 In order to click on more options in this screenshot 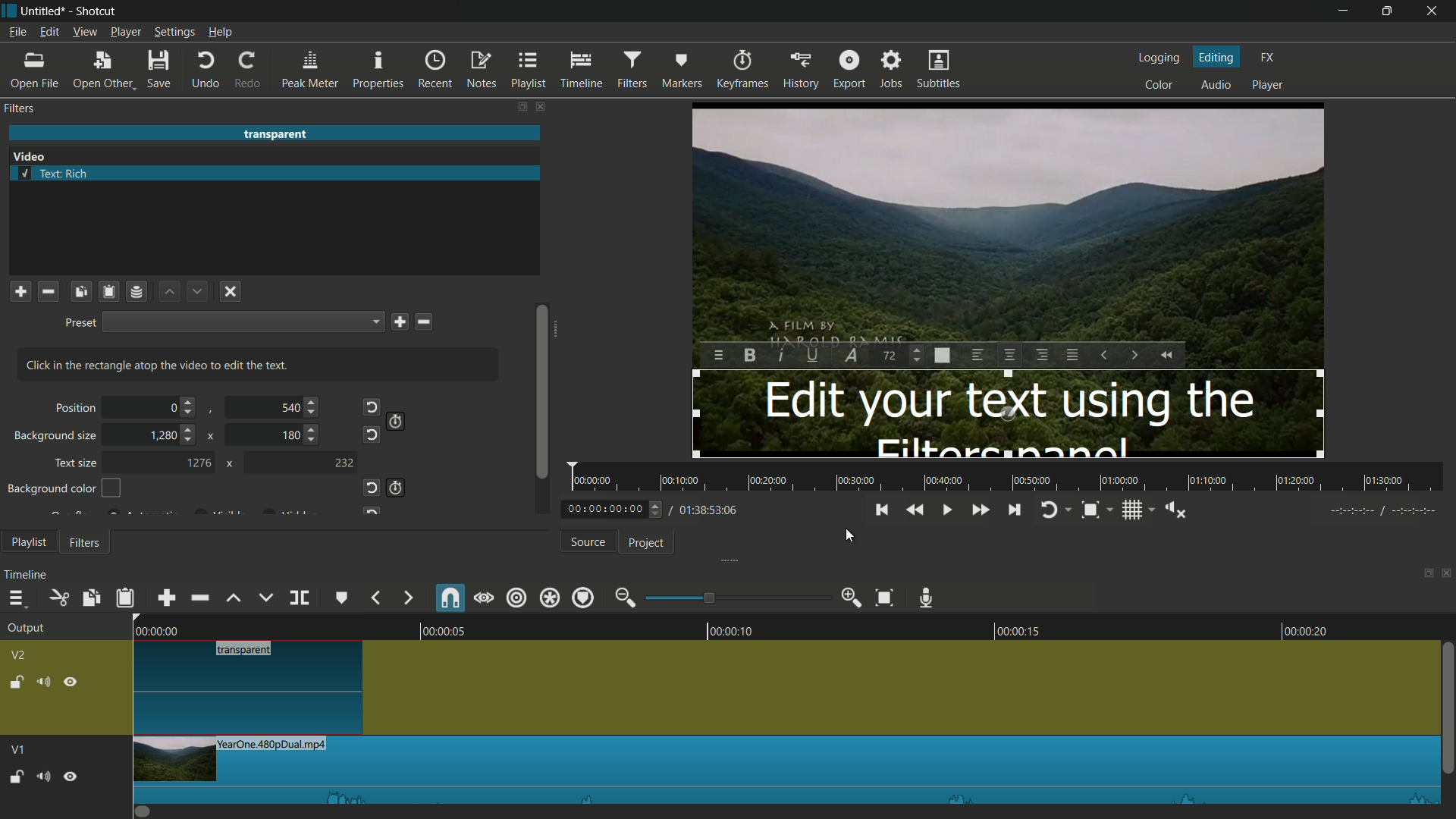, I will do `click(720, 356)`.